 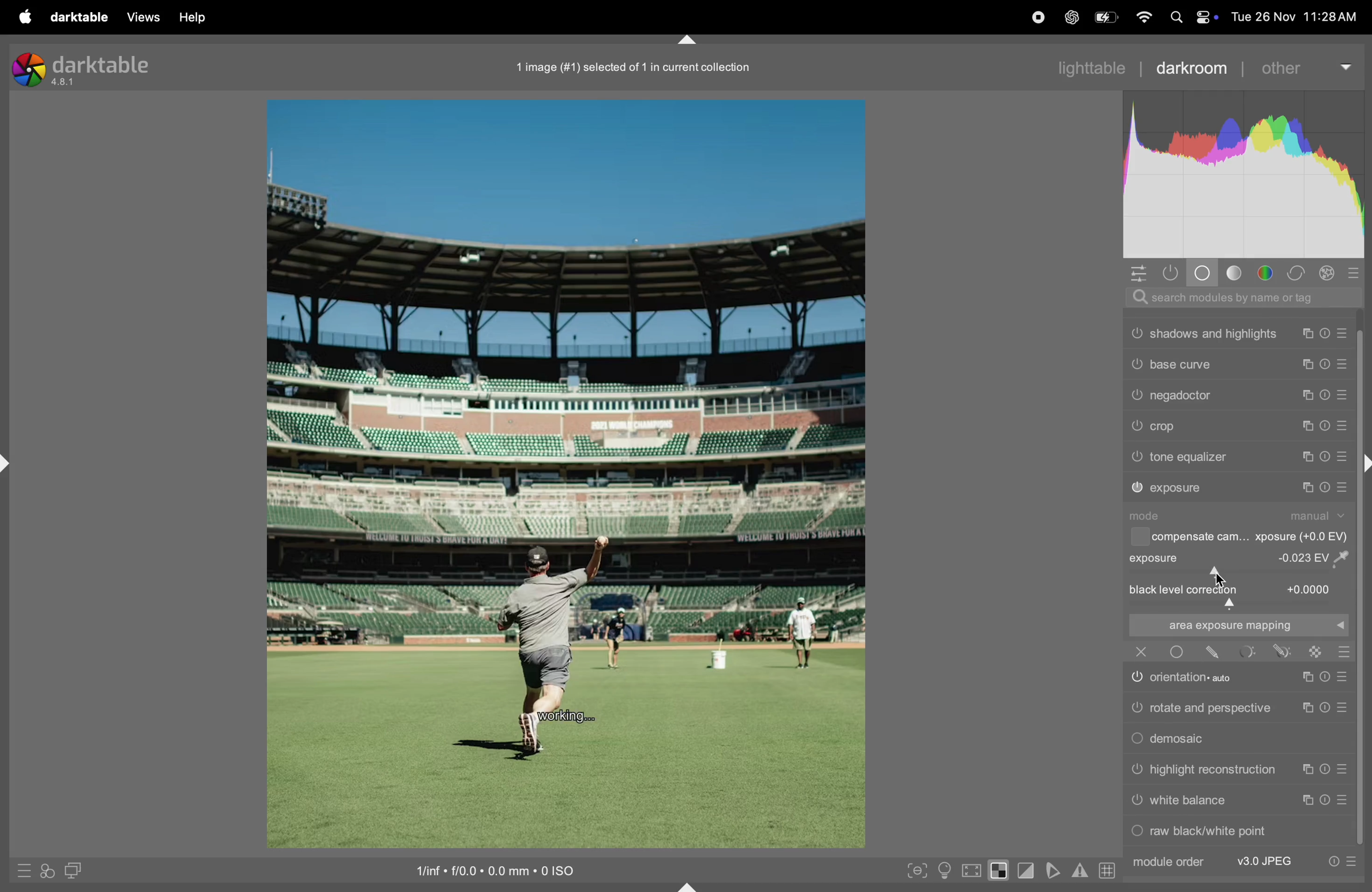 I want to click on battery, so click(x=1108, y=16).